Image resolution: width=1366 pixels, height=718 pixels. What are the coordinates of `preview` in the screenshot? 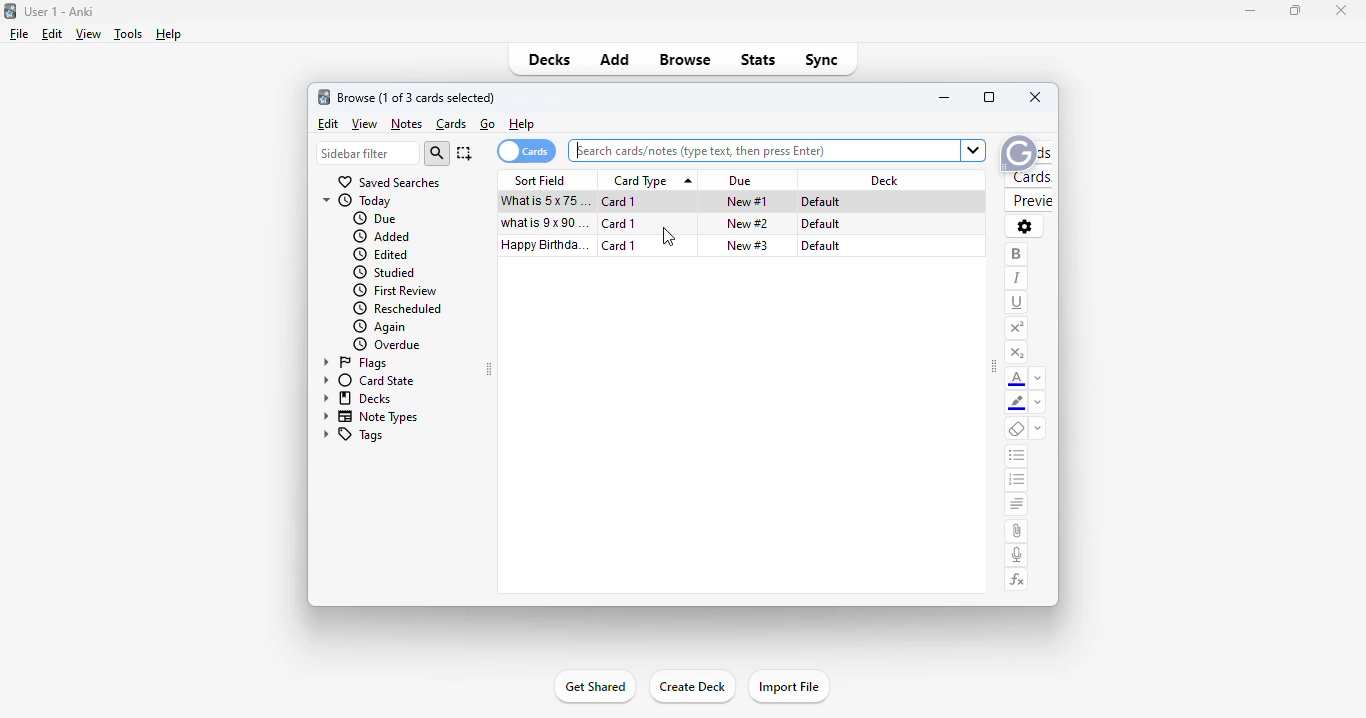 It's located at (1031, 201).